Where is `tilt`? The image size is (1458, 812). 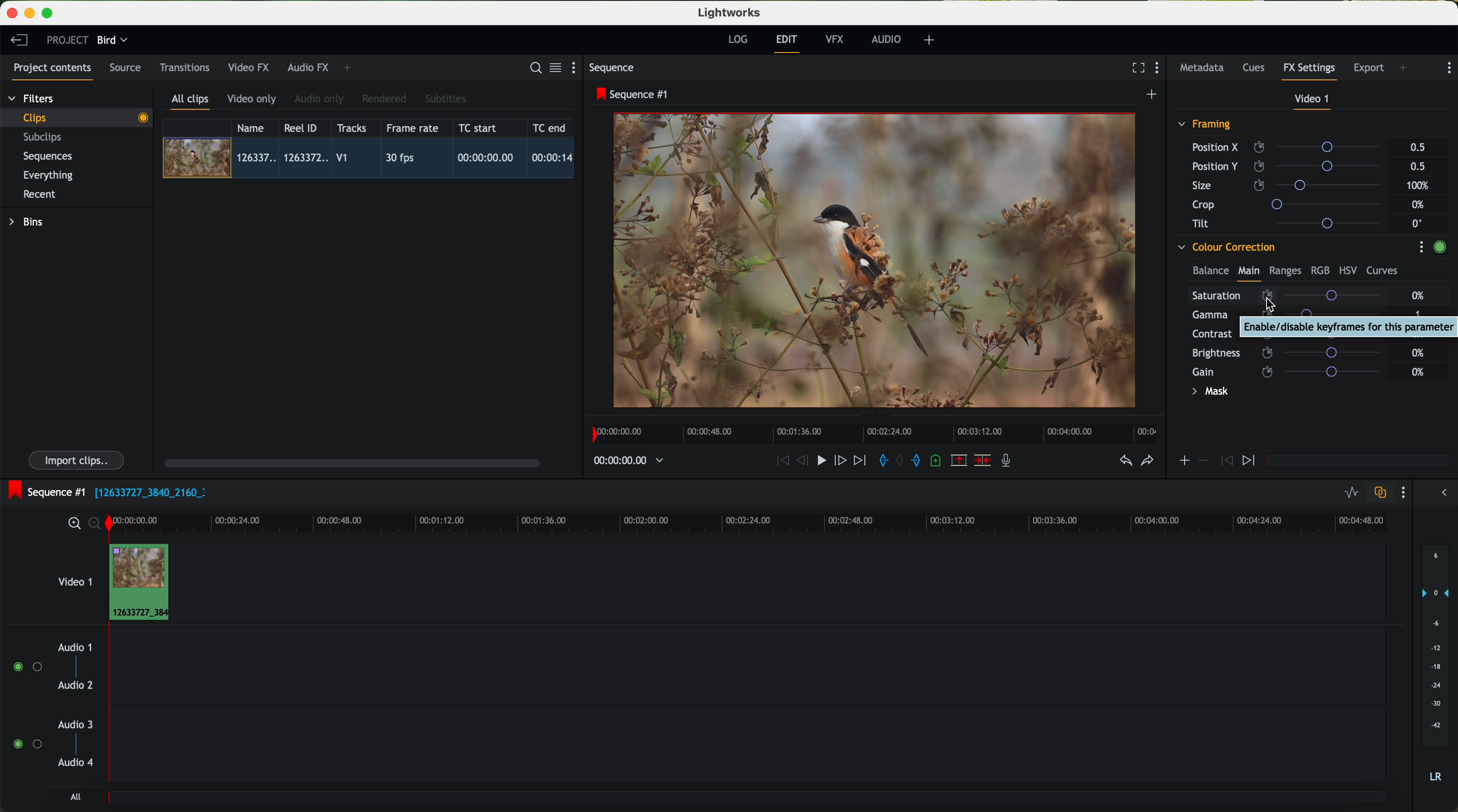
tilt is located at coordinates (1291, 223).